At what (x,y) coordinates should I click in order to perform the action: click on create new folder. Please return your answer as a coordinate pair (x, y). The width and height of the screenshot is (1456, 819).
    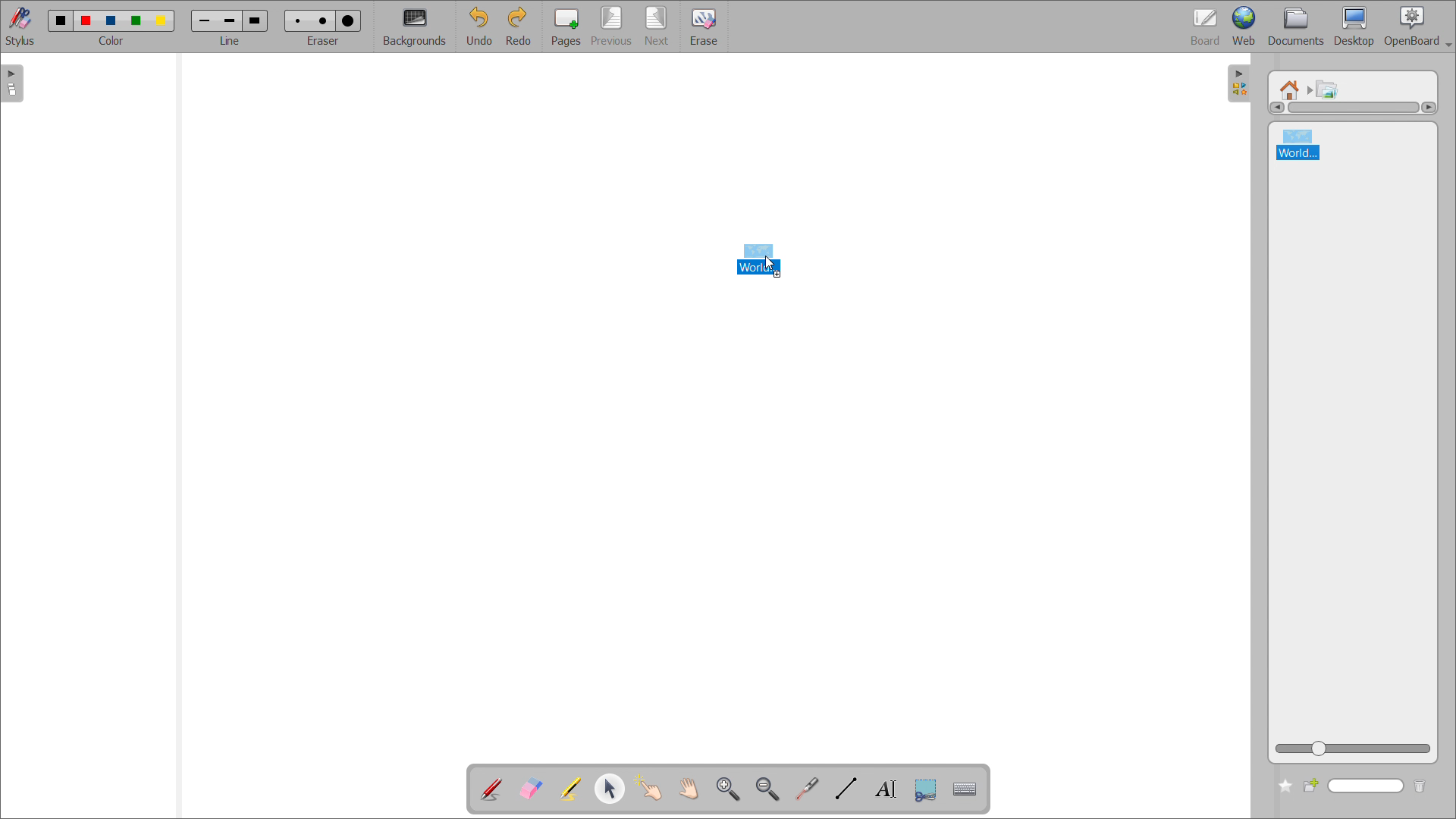
    Looking at the image, I should click on (1310, 787).